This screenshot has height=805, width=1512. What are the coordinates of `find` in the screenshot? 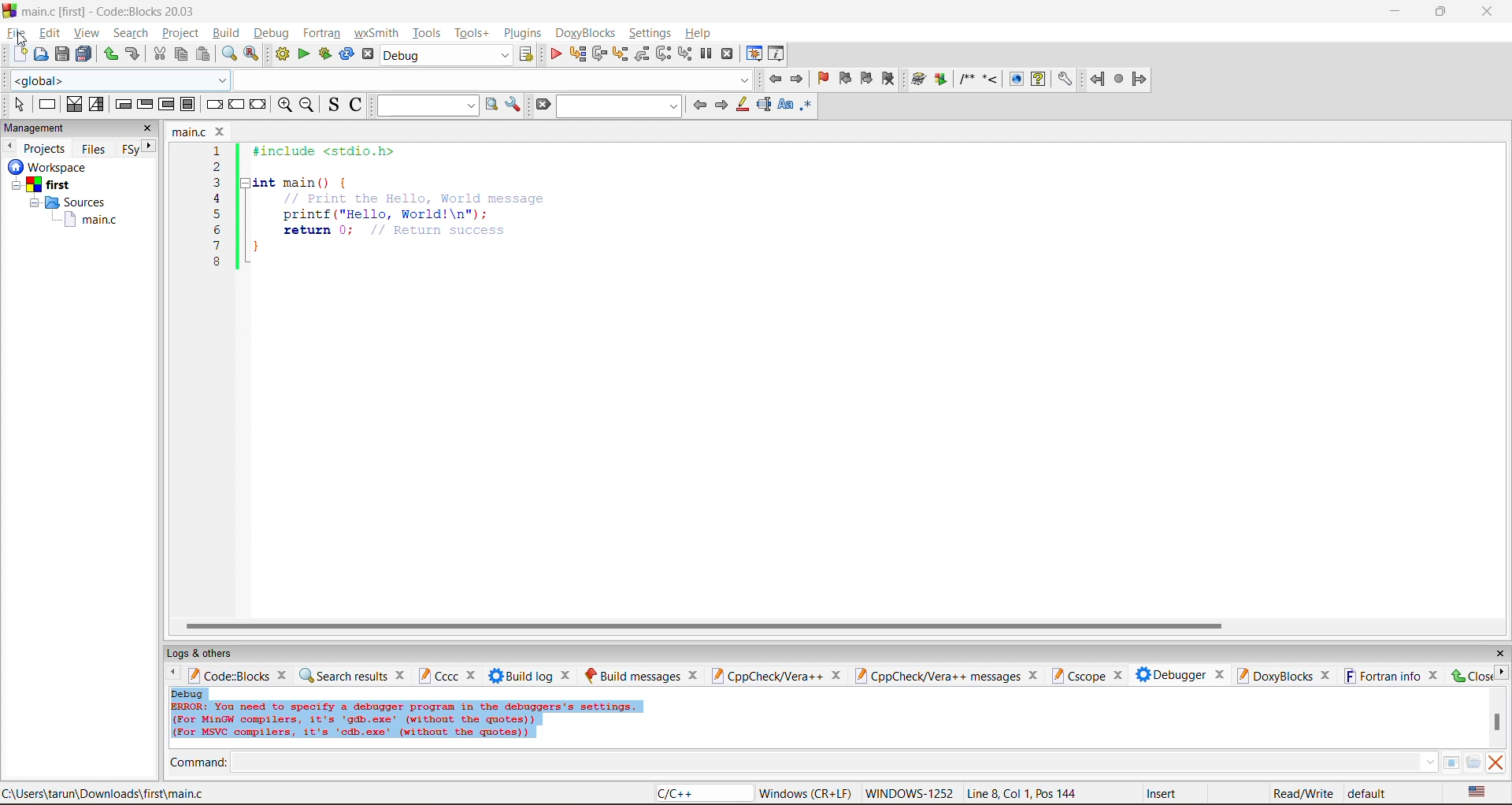 It's located at (228, 54).